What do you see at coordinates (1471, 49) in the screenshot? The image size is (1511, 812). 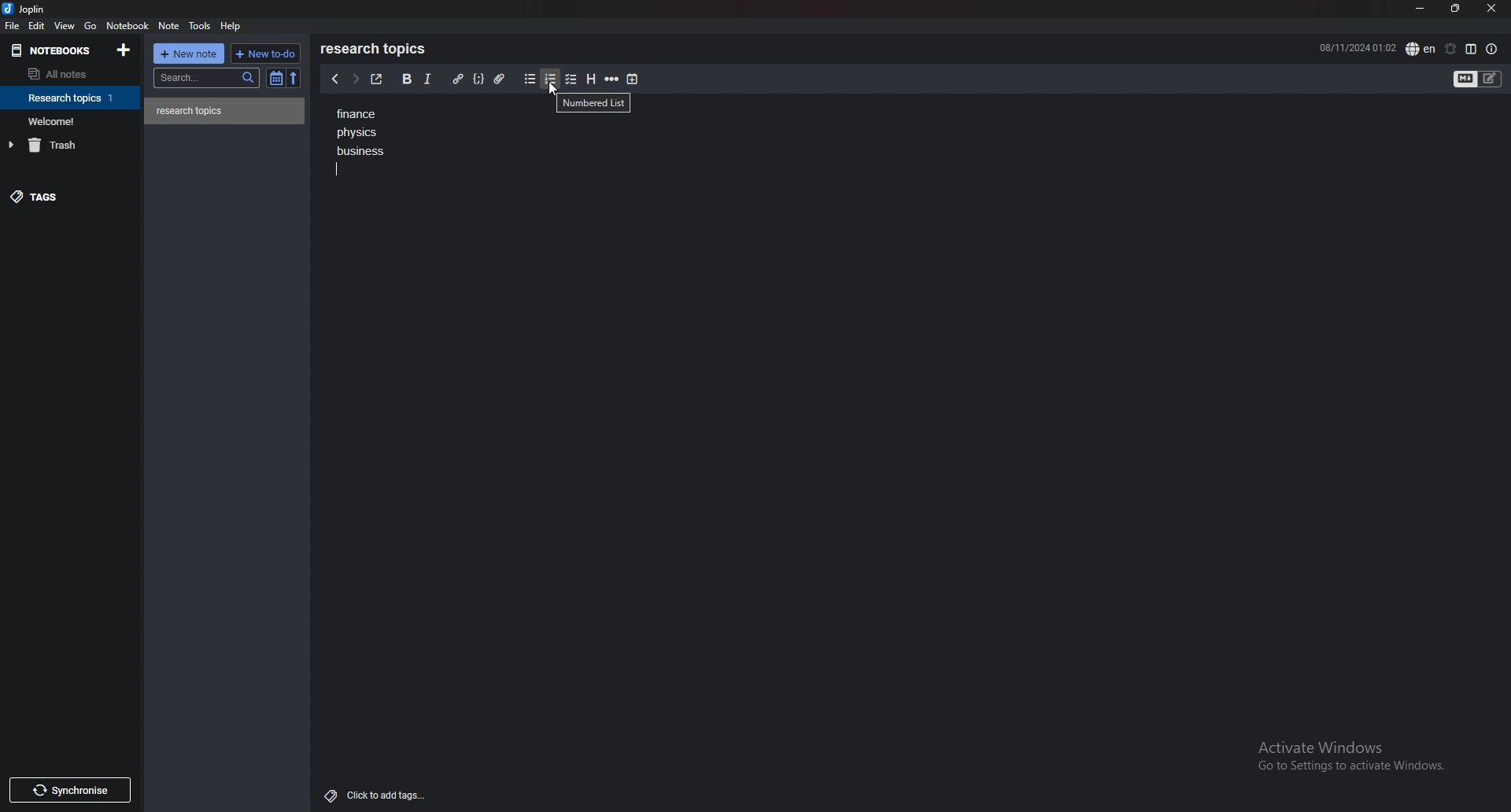 I see `toggle editor layout` at bounding box center [1471, 49].